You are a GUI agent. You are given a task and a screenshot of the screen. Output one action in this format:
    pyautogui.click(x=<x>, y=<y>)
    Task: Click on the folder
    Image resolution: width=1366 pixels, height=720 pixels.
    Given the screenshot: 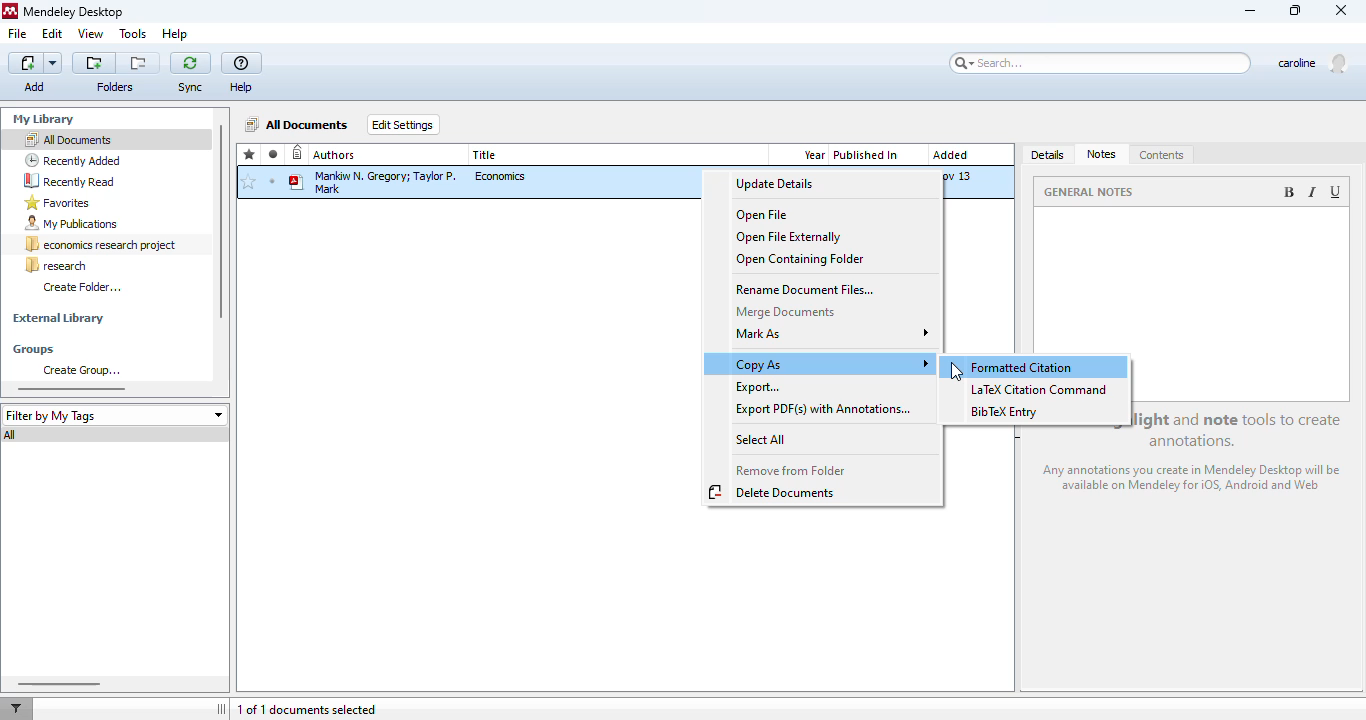 What is the action you would take?
    pyautogui.click(x=114, y=87)
    